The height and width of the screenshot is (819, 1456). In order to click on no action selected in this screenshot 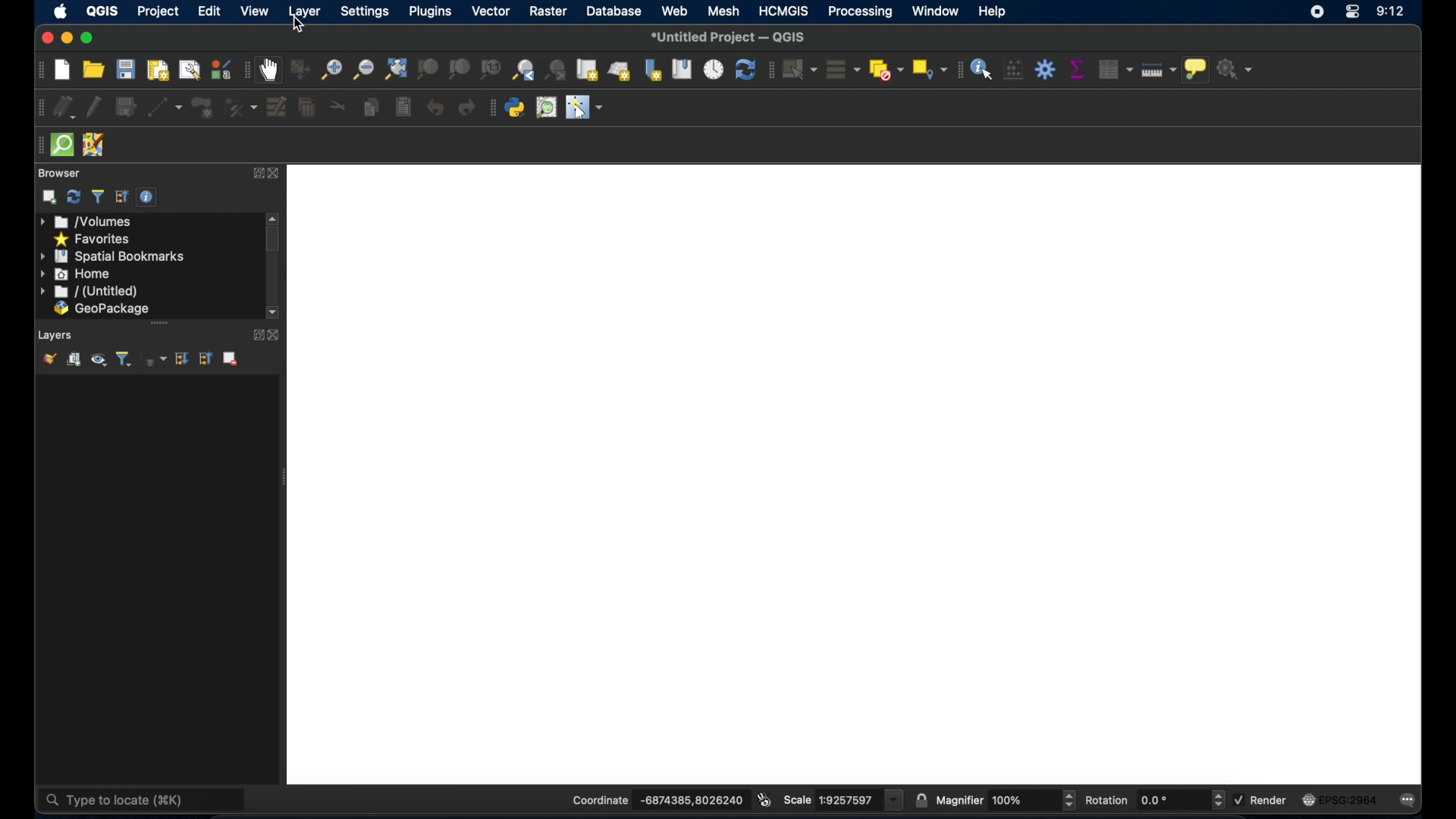, I will do `click(1241, 69)`.